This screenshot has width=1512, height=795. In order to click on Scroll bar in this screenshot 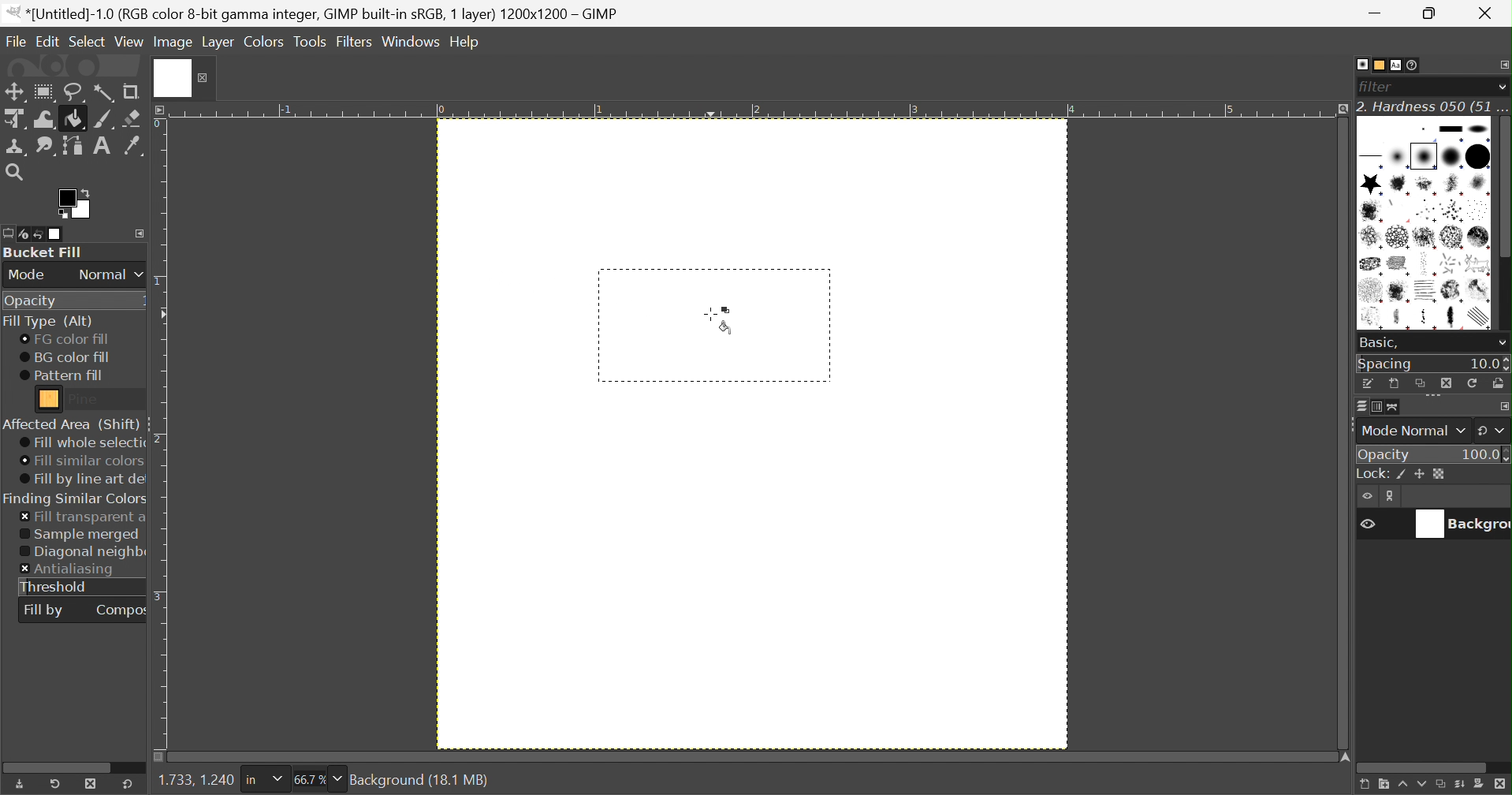, I will do `click(1423, 768)`.